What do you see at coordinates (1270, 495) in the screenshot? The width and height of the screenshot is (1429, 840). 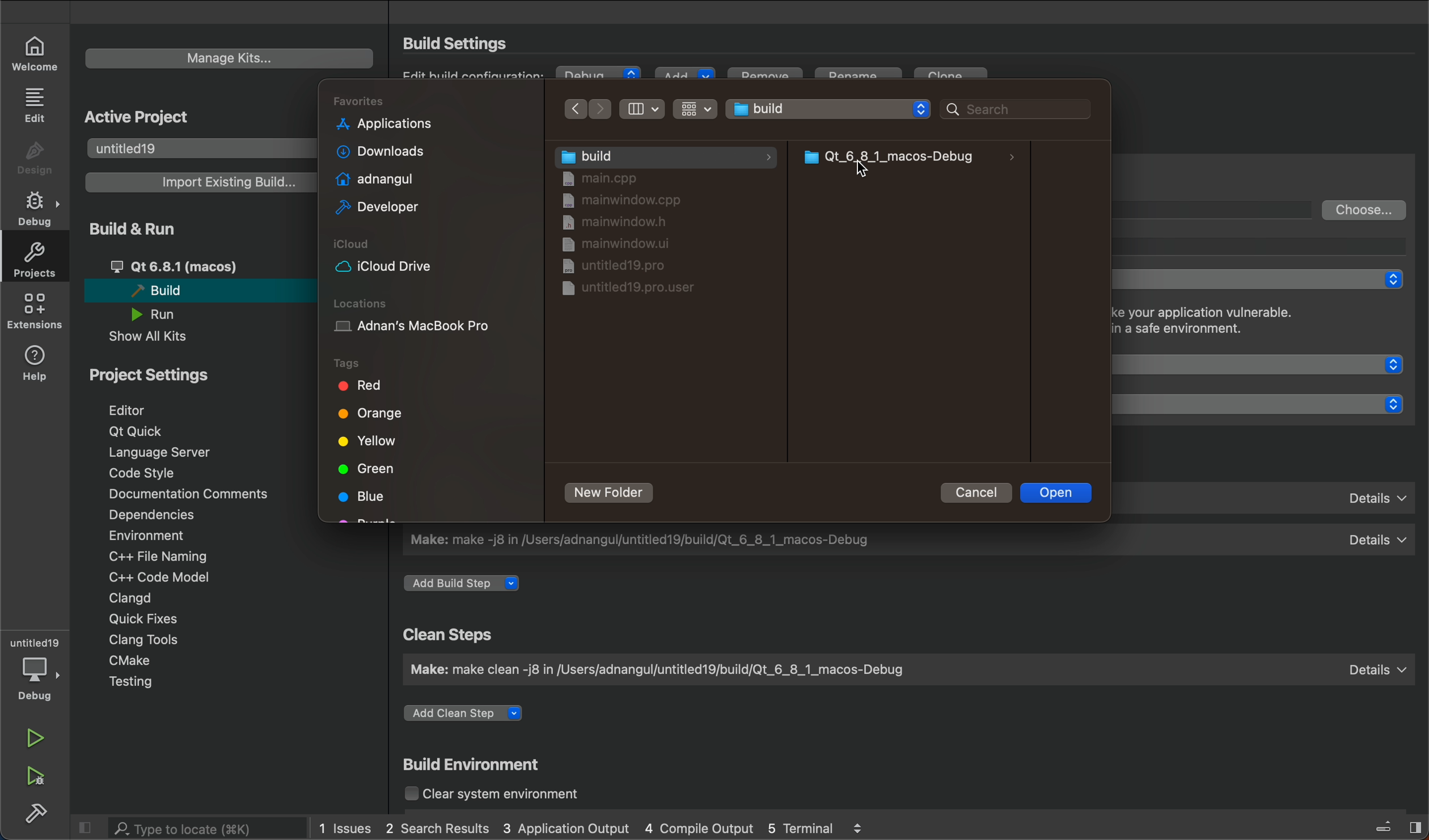 I see `qmake` at bounding box center [1270, 495].